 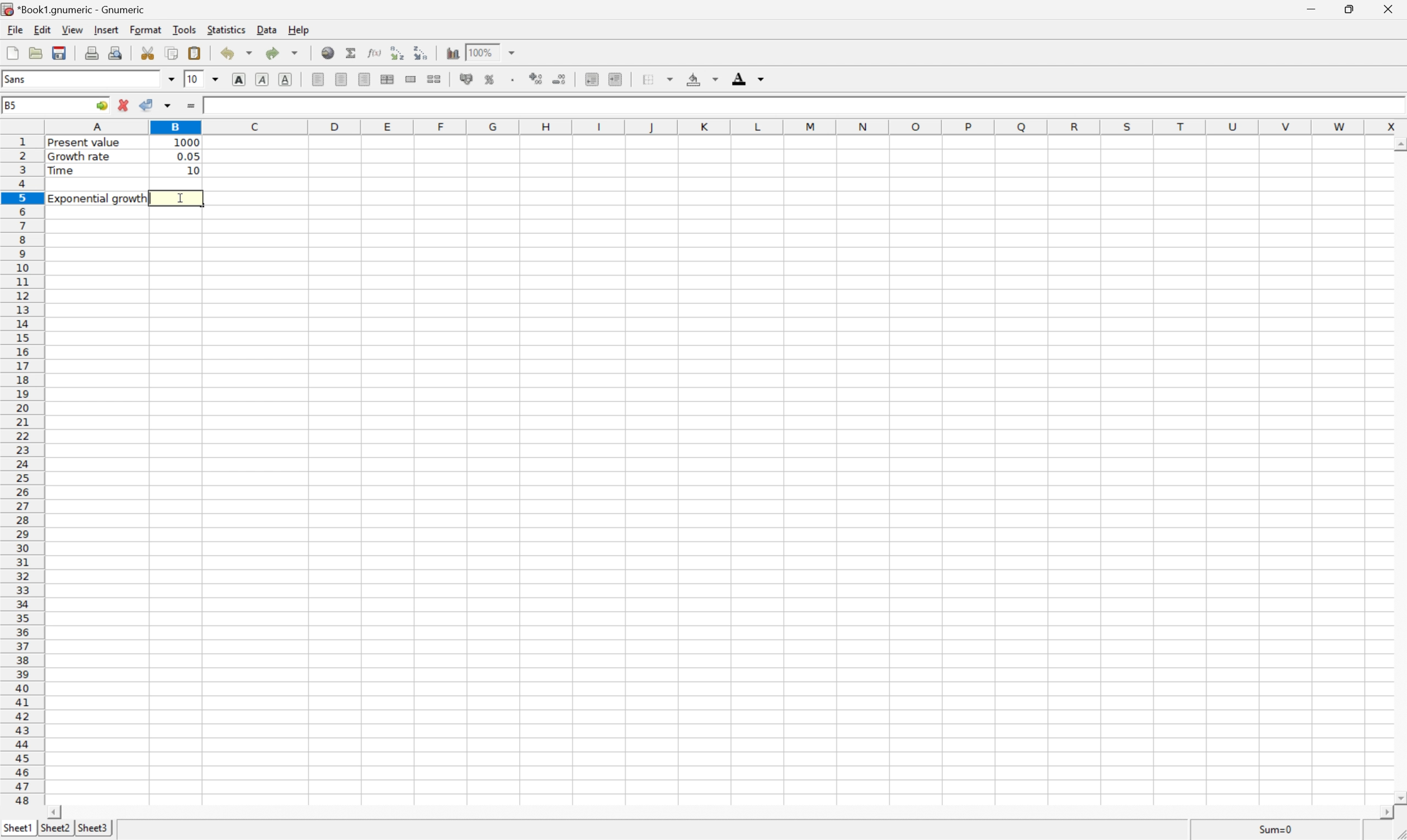 What do you see at coordinates (726, 127) in the screenshot?
I see `Column names` at bounding box center [726, 127].